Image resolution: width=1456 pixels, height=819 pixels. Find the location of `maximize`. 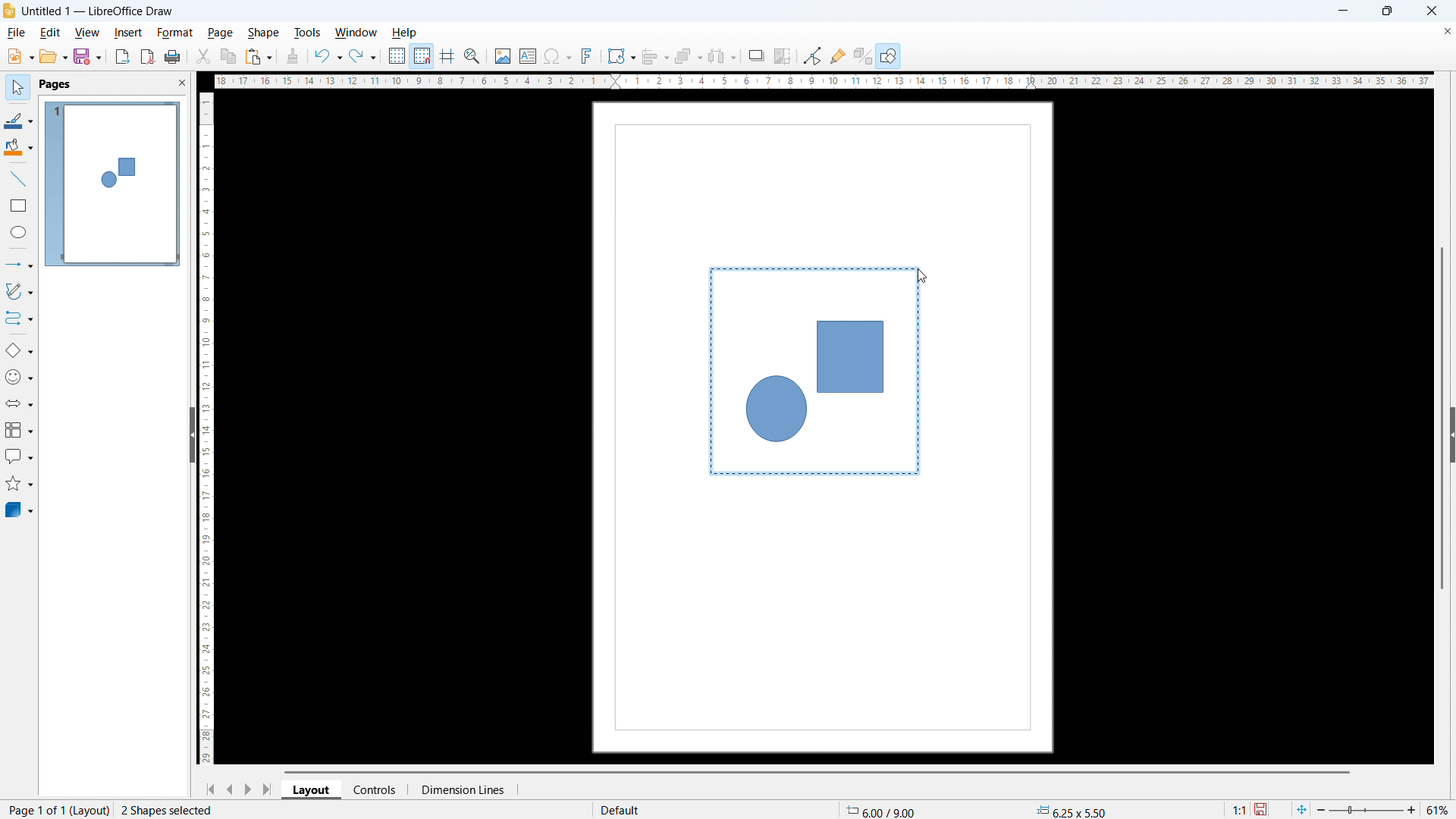

maximize is located at coordinates (1389, 11).